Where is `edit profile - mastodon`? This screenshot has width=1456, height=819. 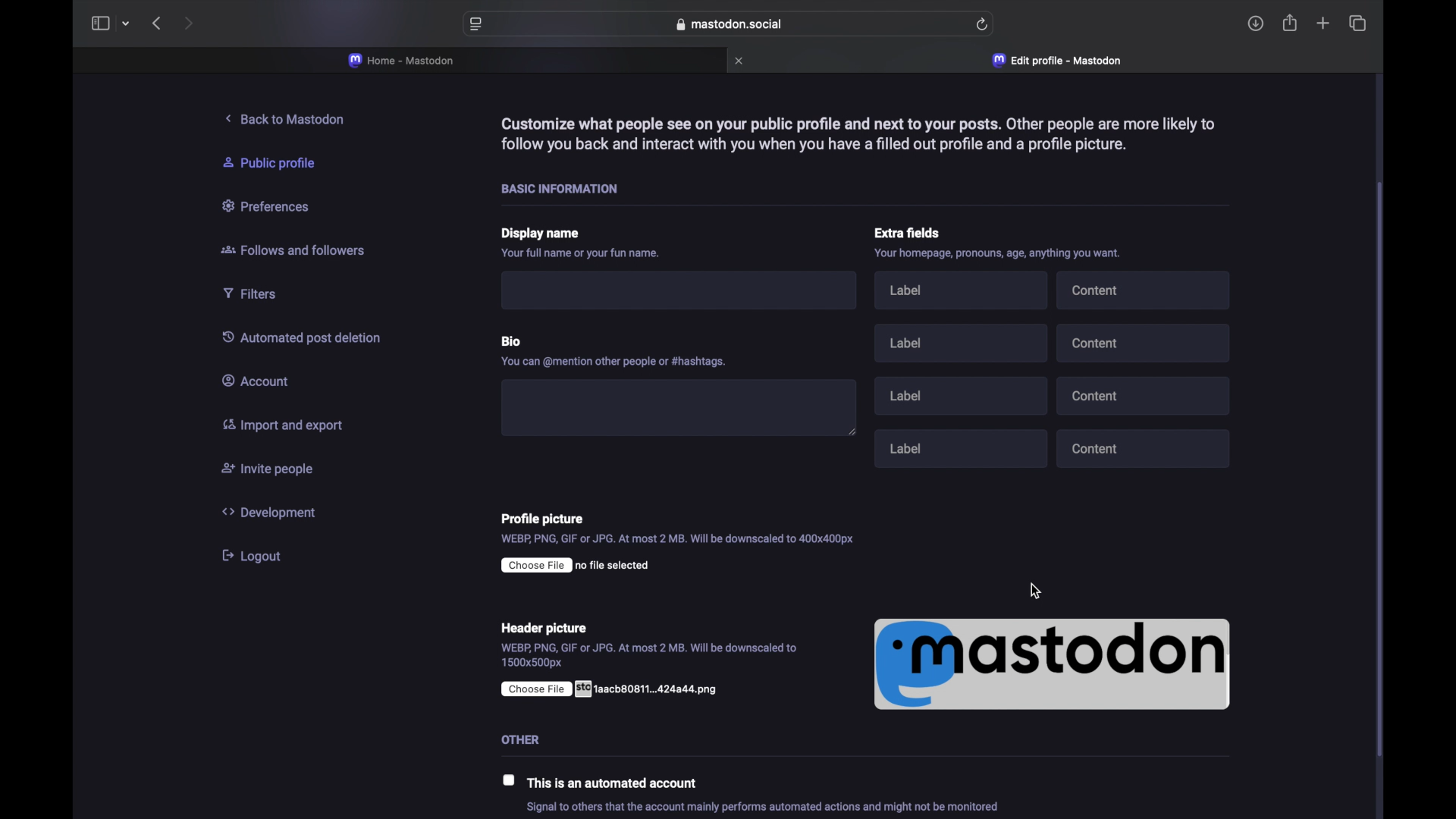
edit profile - mastodon is located at coordinates (1059, 61).